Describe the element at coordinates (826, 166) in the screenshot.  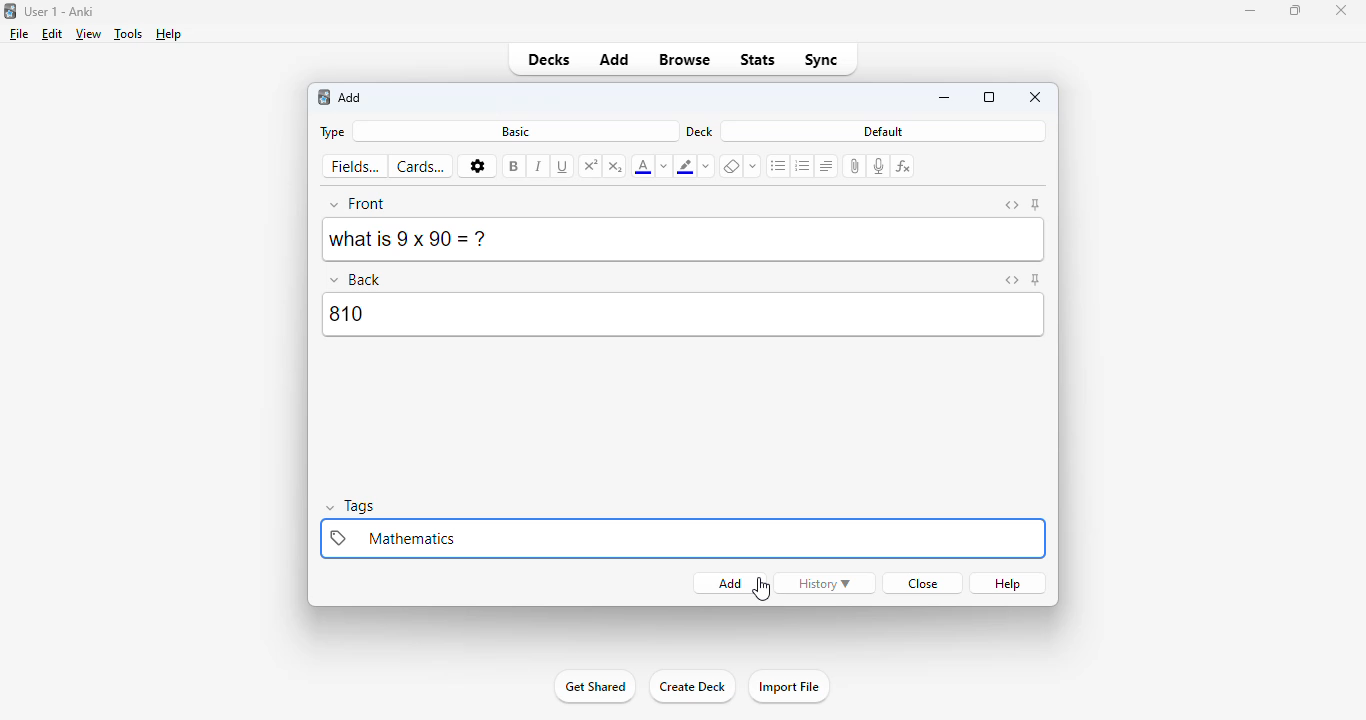
I see `alignment` at that location.